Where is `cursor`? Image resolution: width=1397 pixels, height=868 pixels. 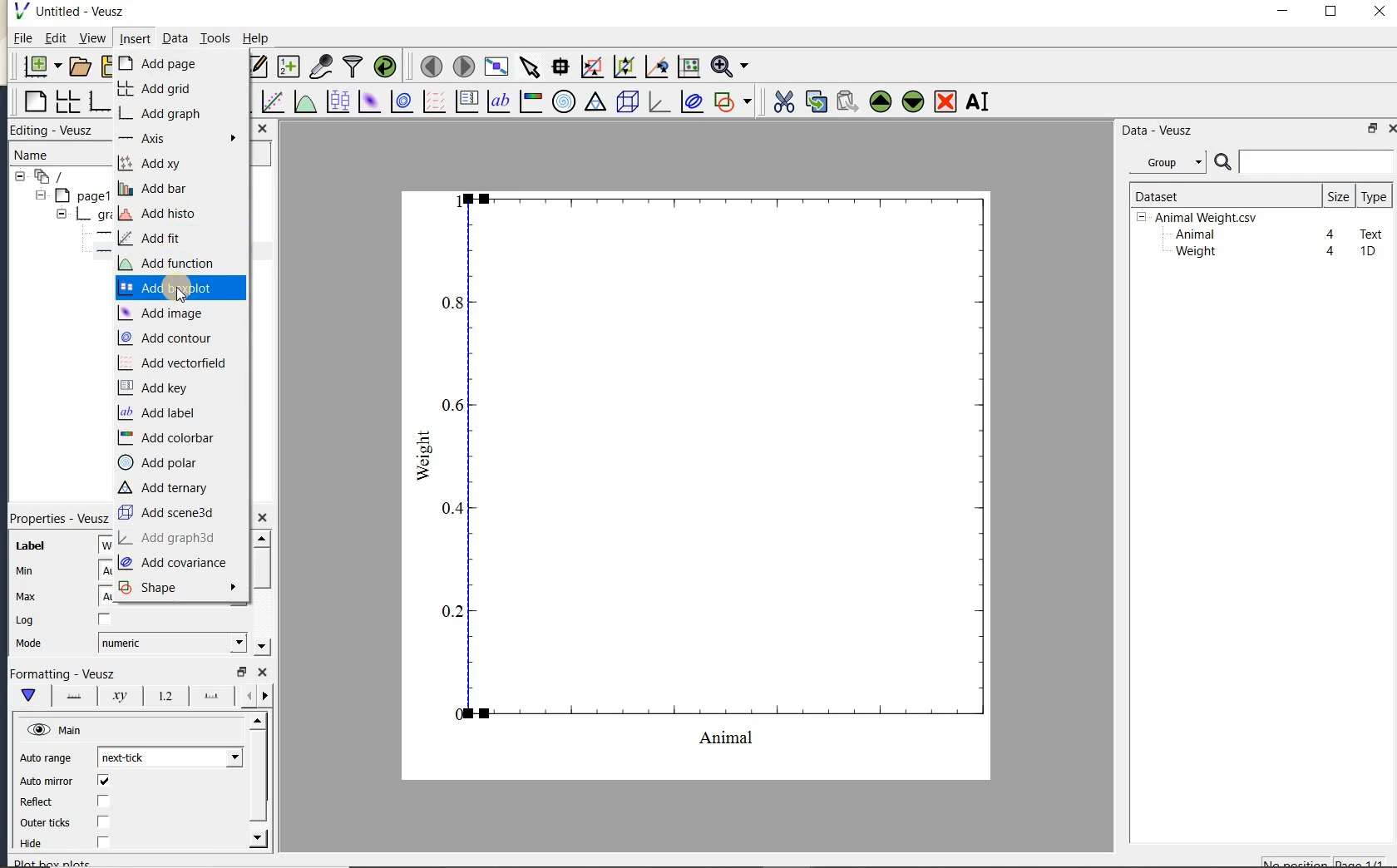 cursor is located at coordinates (181, 296).